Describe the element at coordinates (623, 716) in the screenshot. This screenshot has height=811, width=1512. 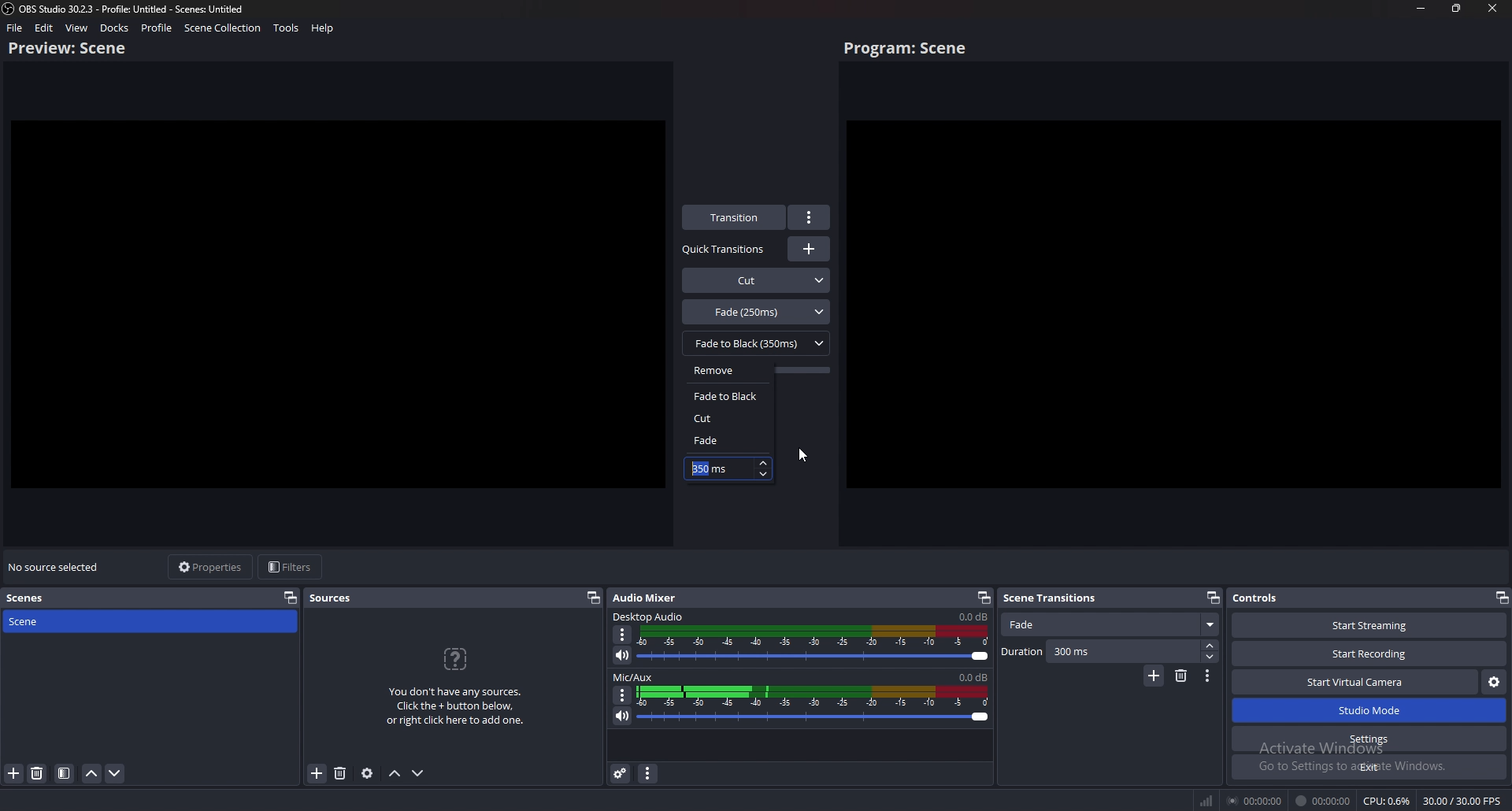
I see `mute` at that location.